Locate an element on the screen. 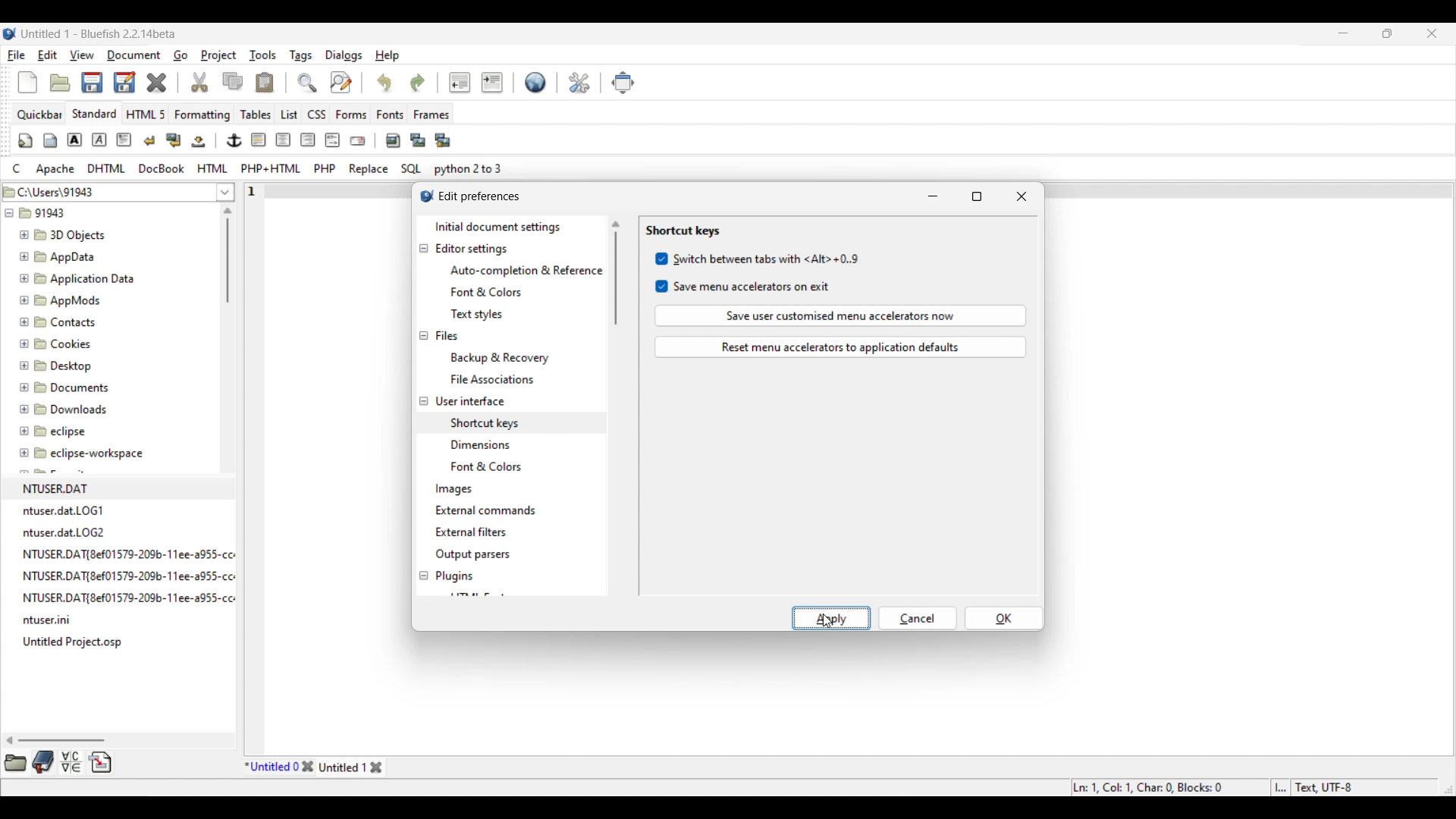  CSS is located at coordinates (318, 114).